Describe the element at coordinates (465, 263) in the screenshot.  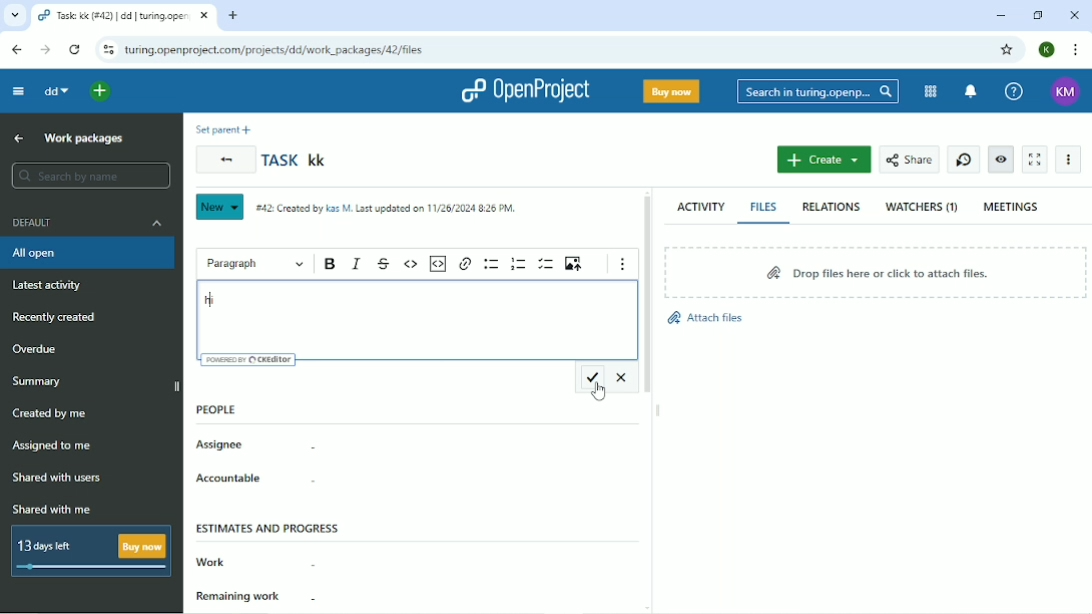
I see `Link` at that location.